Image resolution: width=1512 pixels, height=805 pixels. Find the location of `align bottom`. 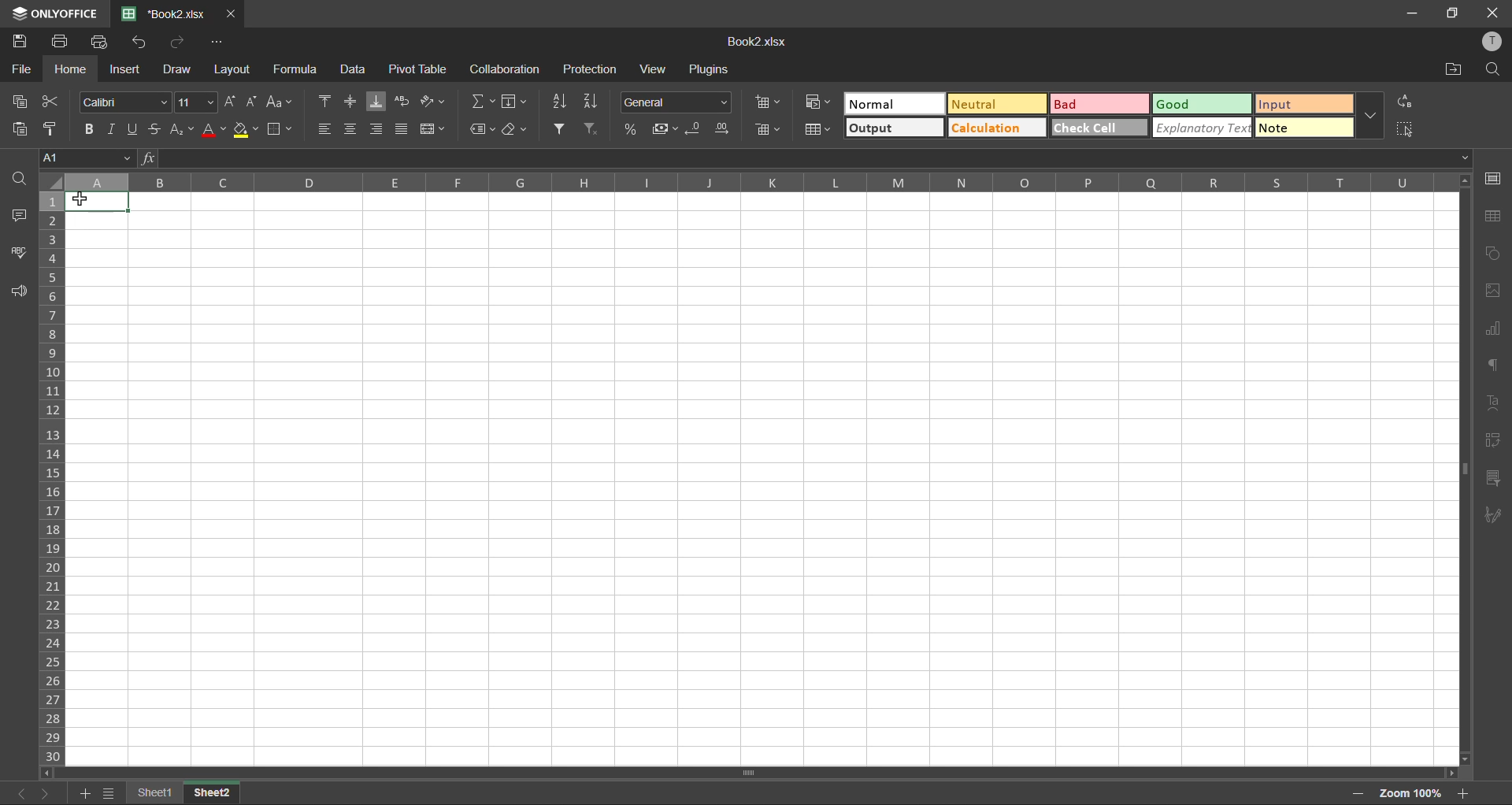

align bottom is located at coordinates (380, 102).